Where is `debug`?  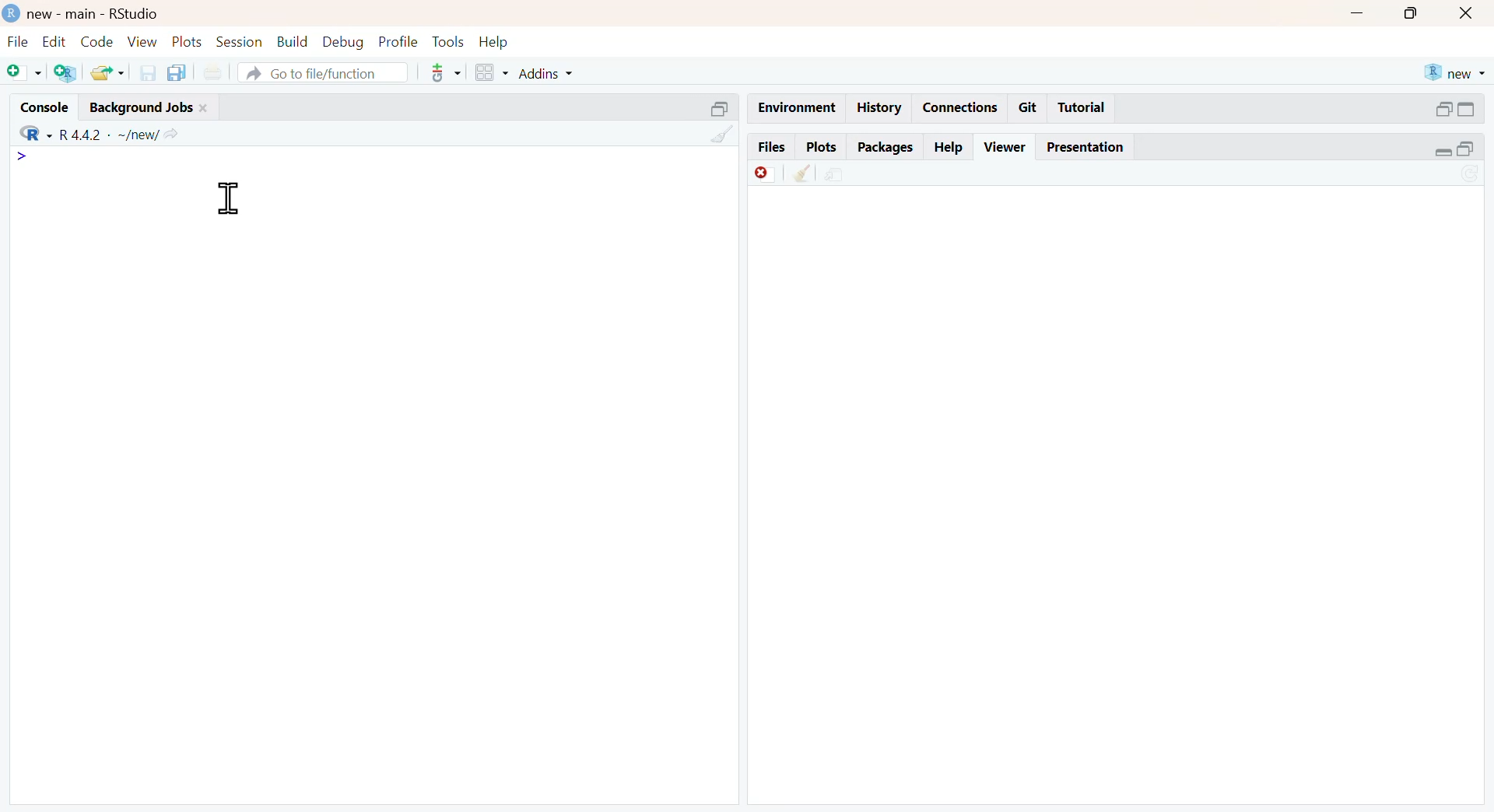
debug is located at coordinates (344, 43).